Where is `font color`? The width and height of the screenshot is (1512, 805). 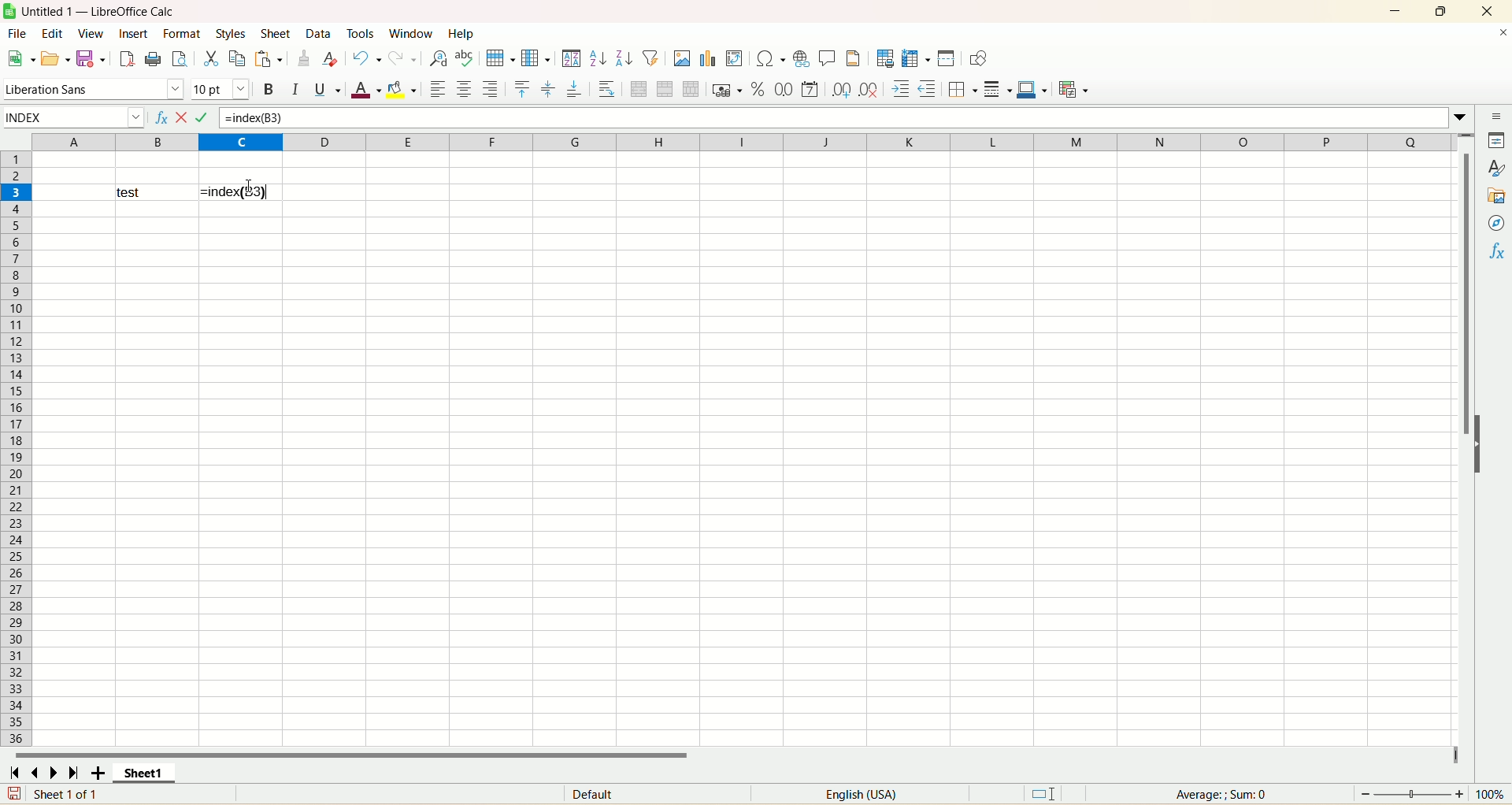 font color is located at coordinates (365, 89).